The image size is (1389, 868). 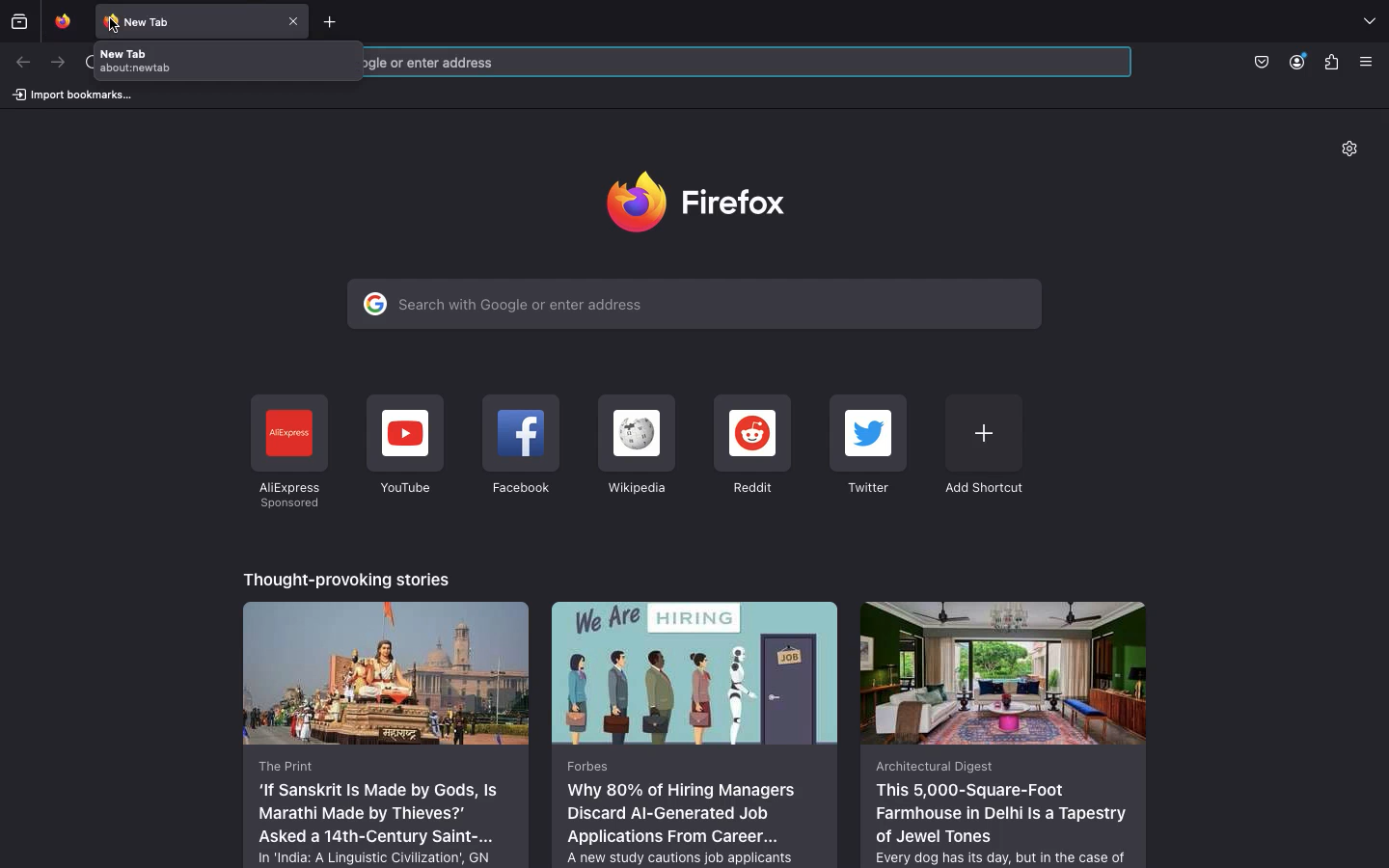 I want to click on Wikipedia, so click(x=635, y=446).